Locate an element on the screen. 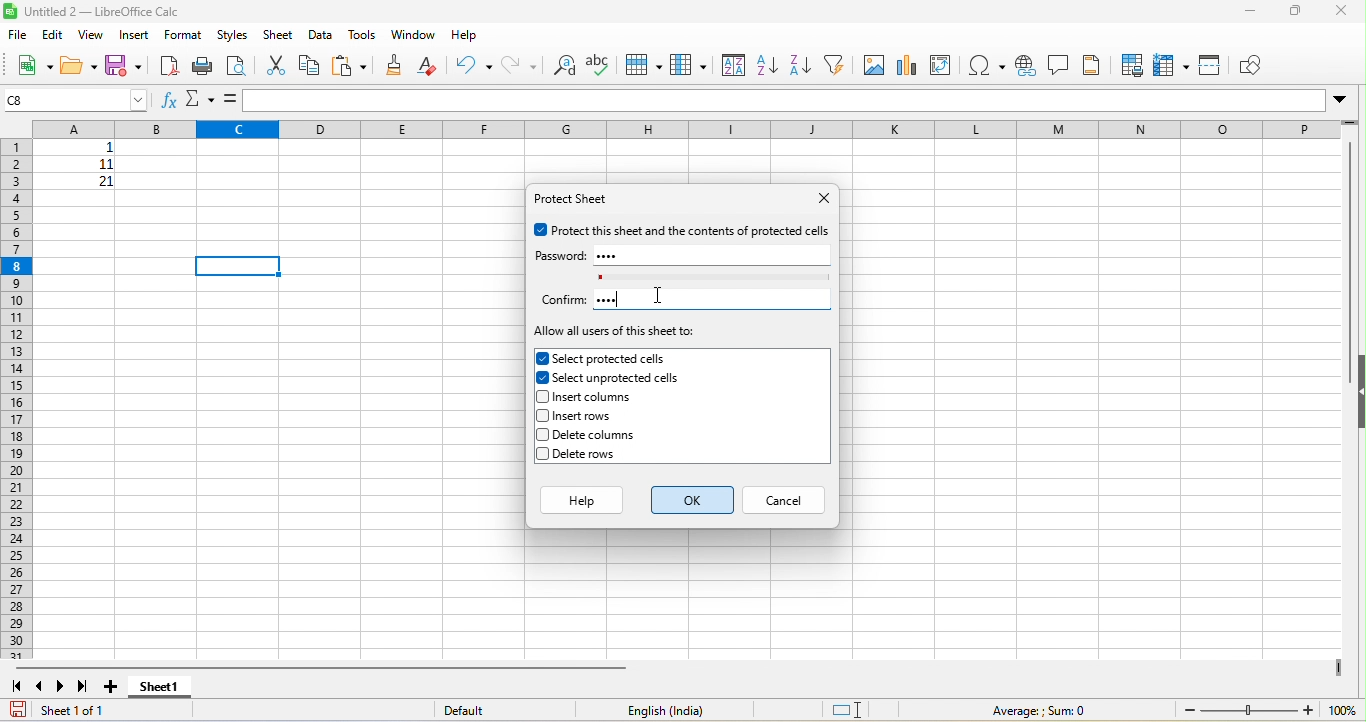  selected cell is located at coordinates (238, 265).